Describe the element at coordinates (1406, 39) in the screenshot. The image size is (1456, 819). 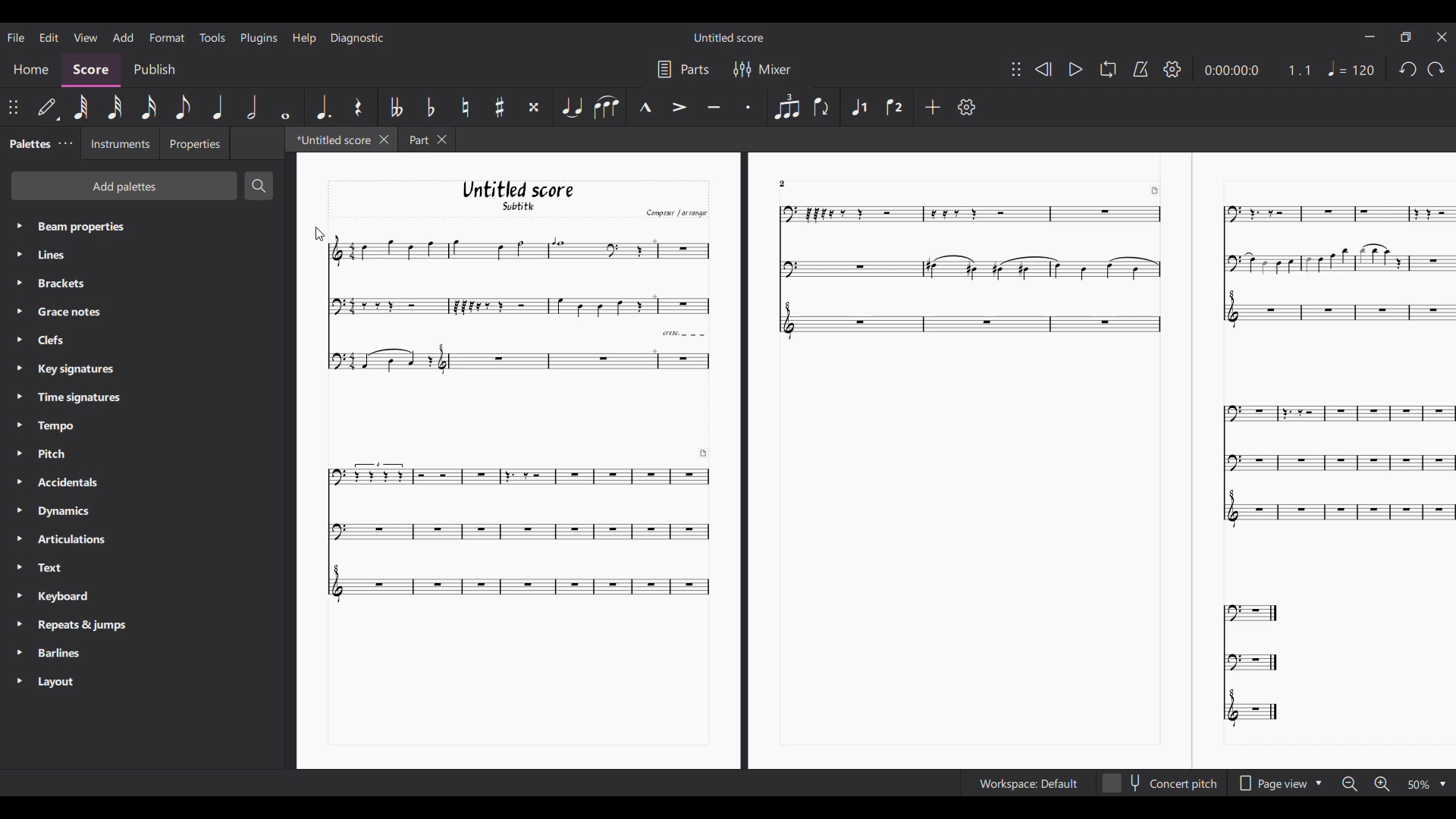
I see `Maximize` at that location.